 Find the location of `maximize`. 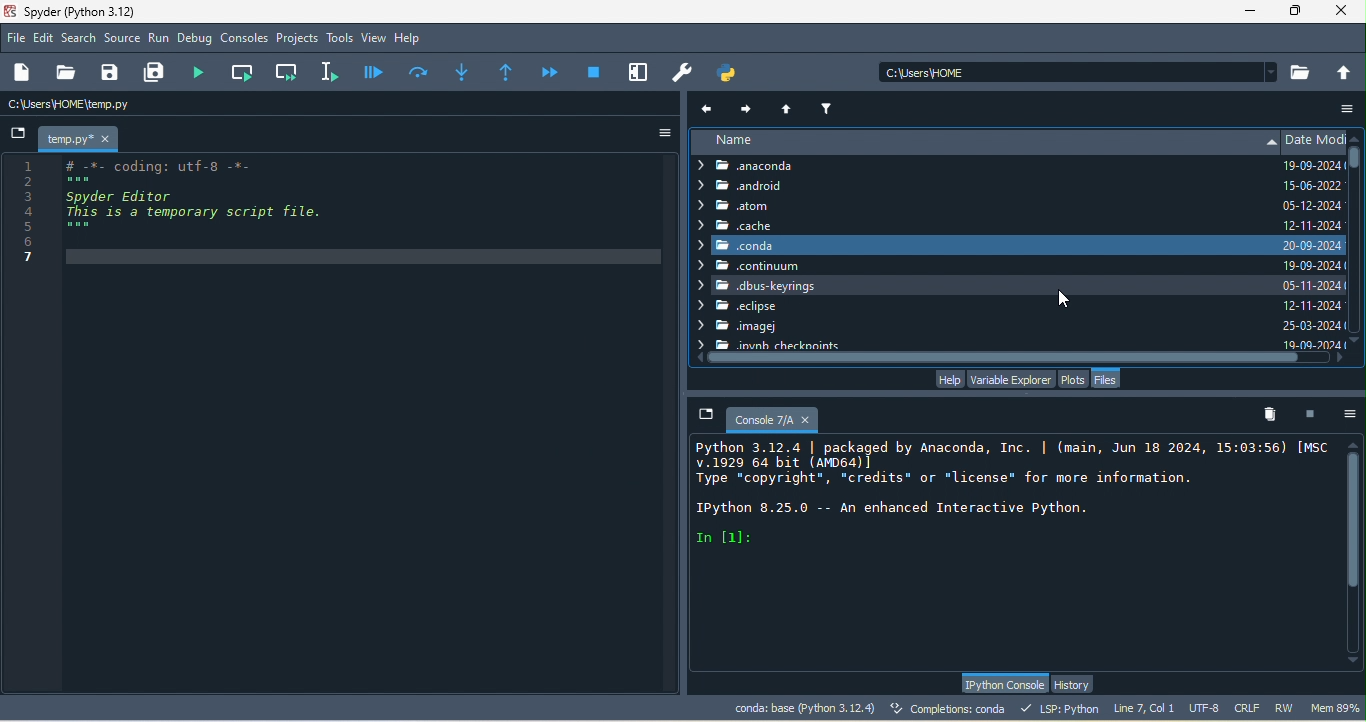

maximize is located at coordinates (1297, 11).